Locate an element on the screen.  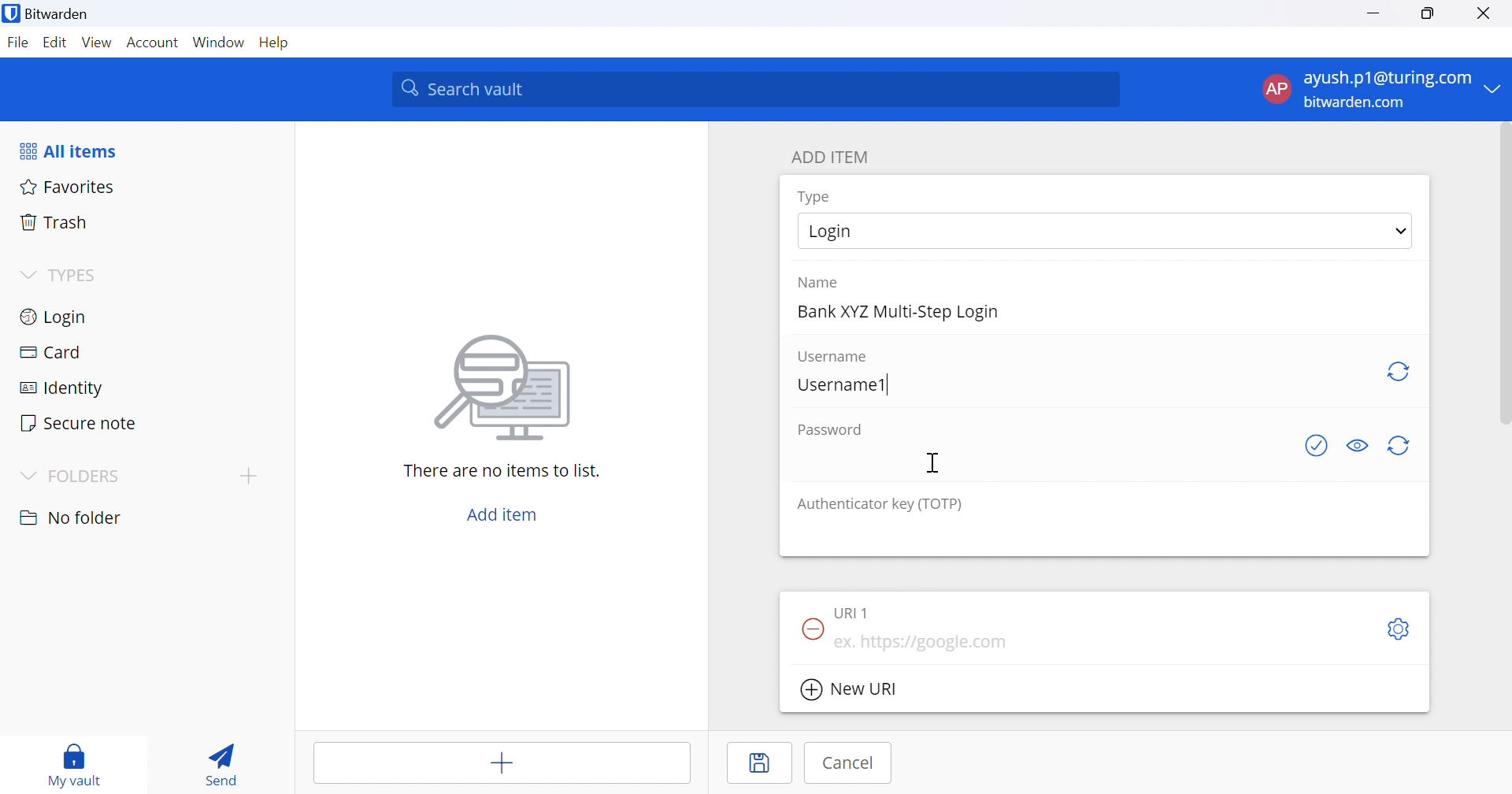
Cursor is located at coordinates (938, 462).